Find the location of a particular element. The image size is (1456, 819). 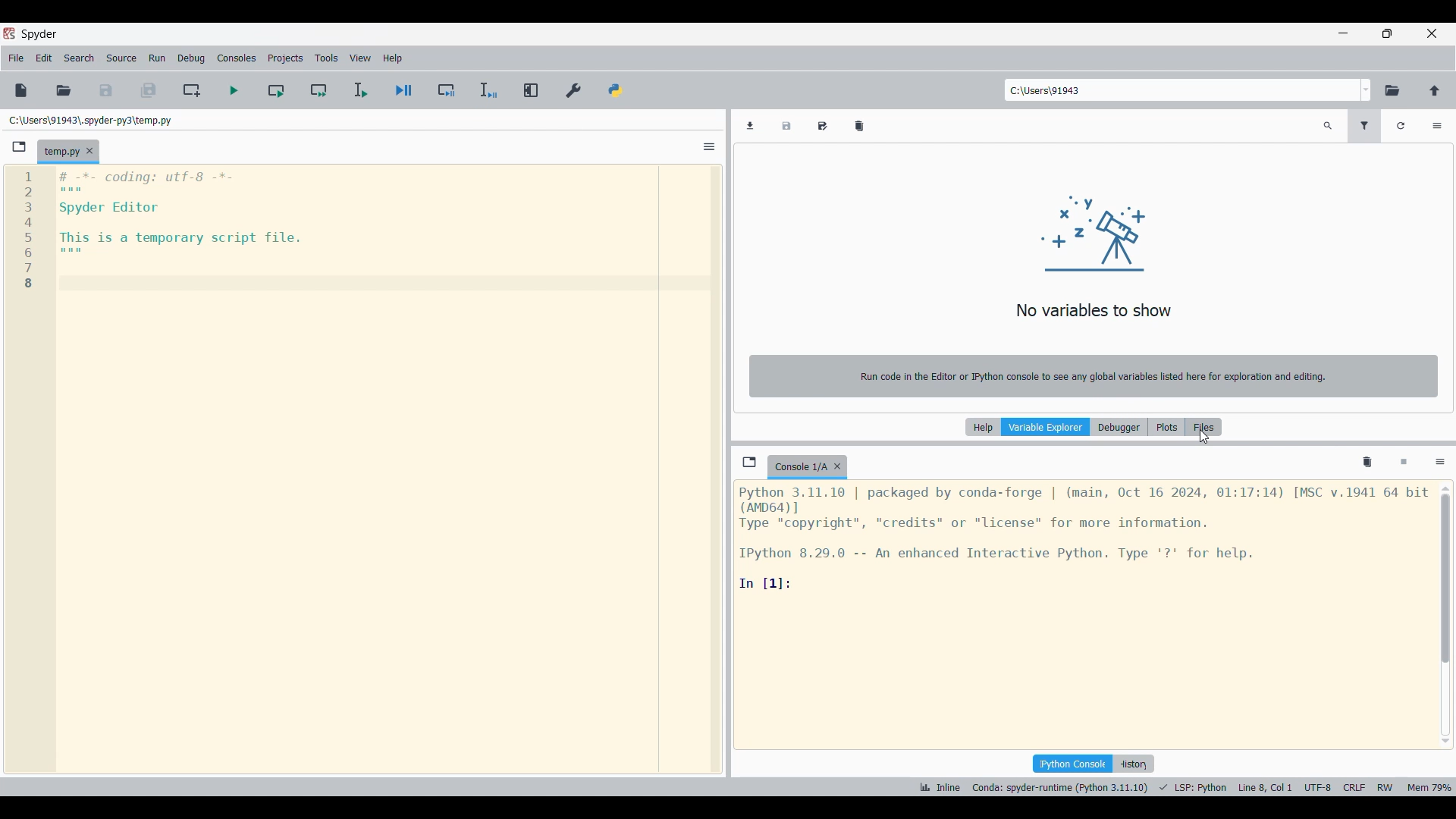

Tools menu is located at coordinates (327, 58).